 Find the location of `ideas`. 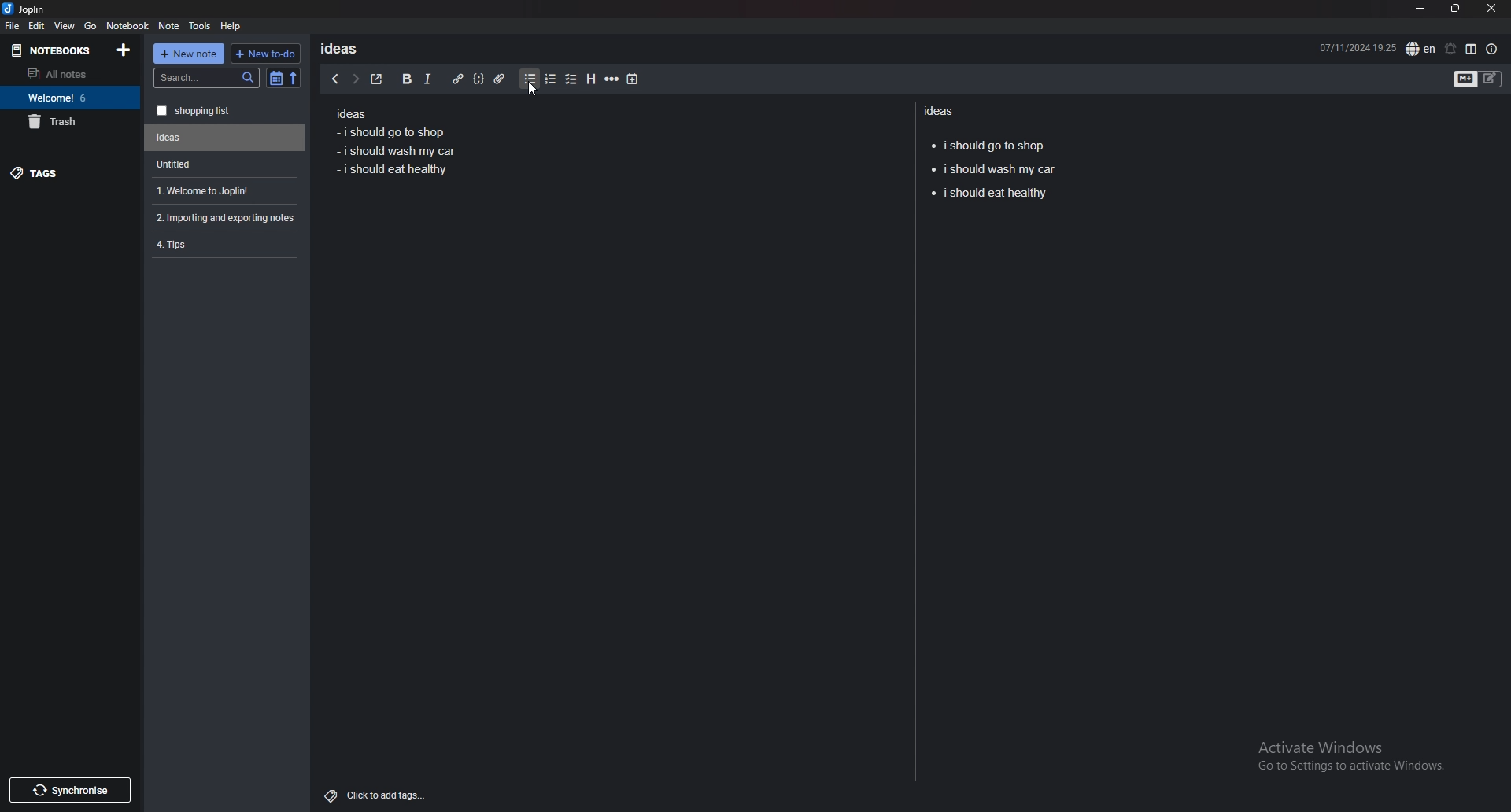

ideas is located at coordinates (350, 115).